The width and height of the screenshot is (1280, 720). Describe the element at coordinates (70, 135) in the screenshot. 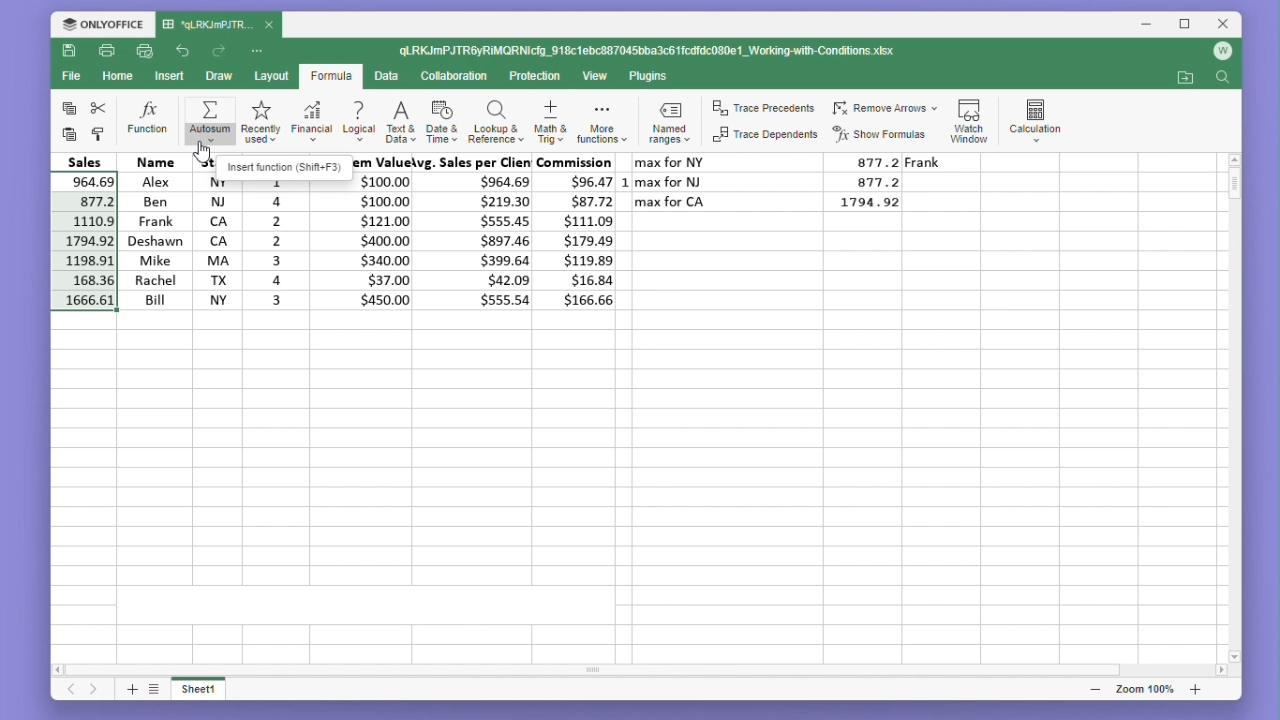

I see `paste` at that location.